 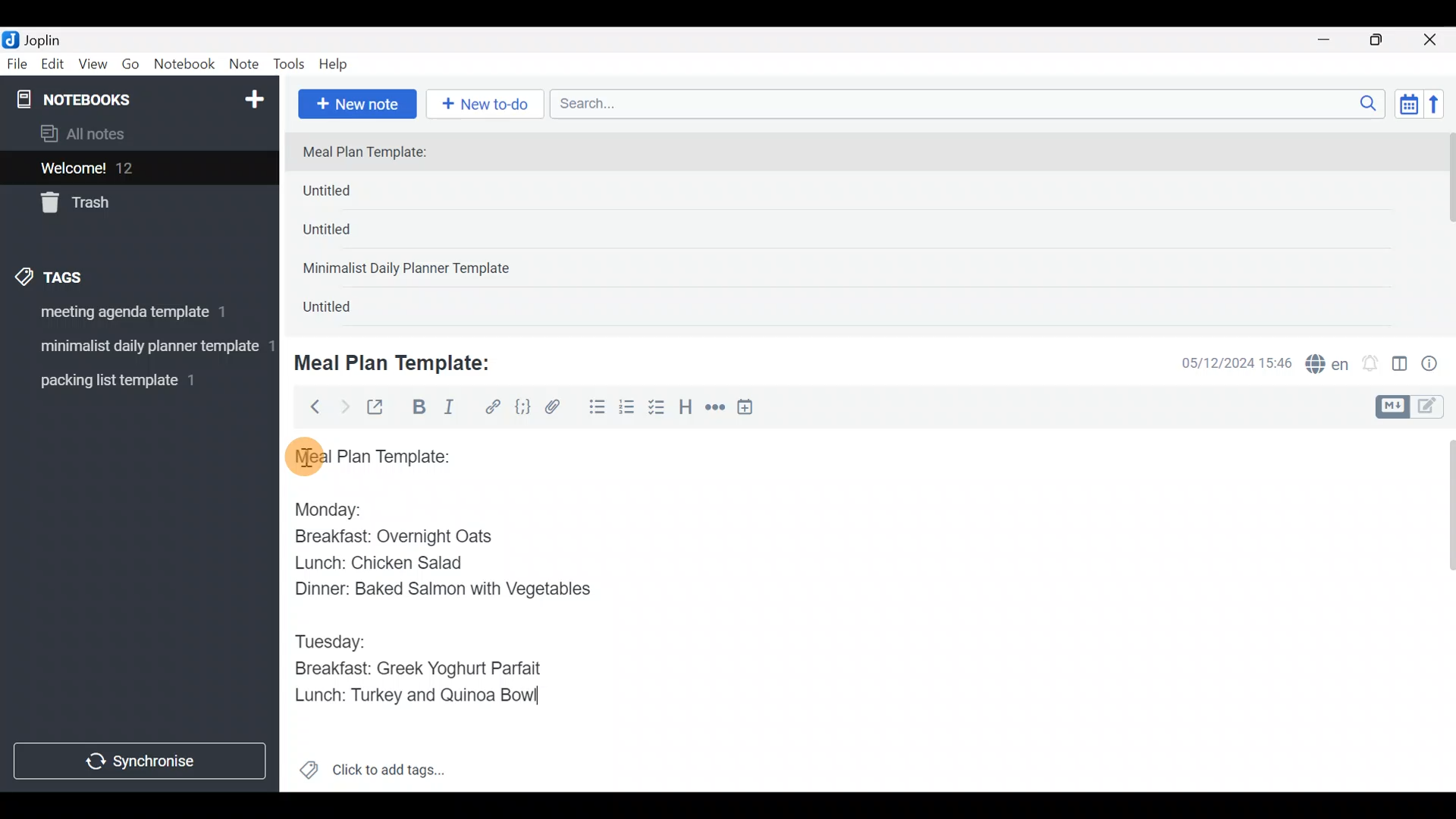 What do you see at coordinates (1225, 362) in the screenshot?
I see `Date & time` at bounding box center [1225, 362].